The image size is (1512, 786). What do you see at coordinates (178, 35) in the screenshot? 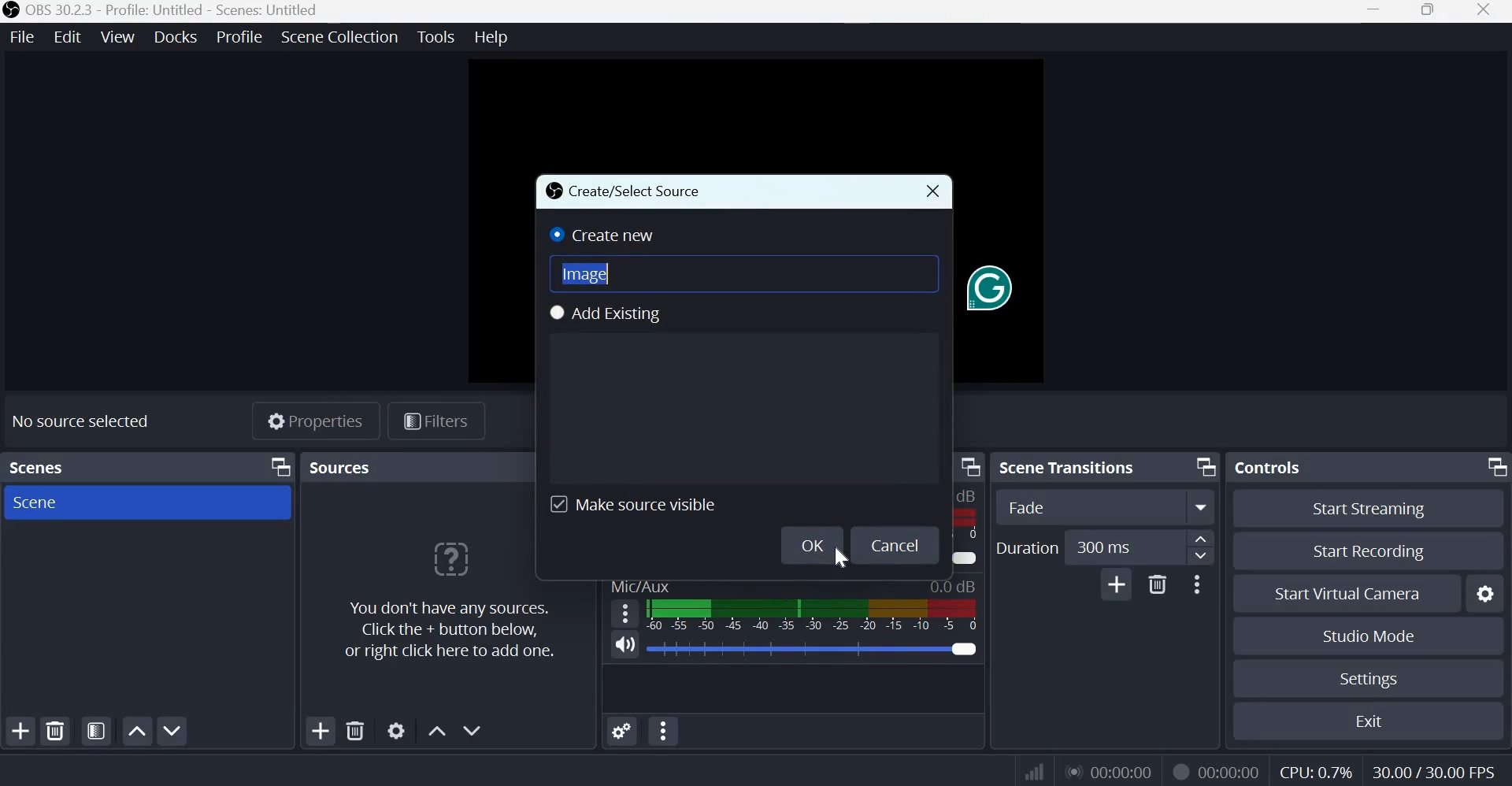
I see `docks` at bounding box center [178, 35].